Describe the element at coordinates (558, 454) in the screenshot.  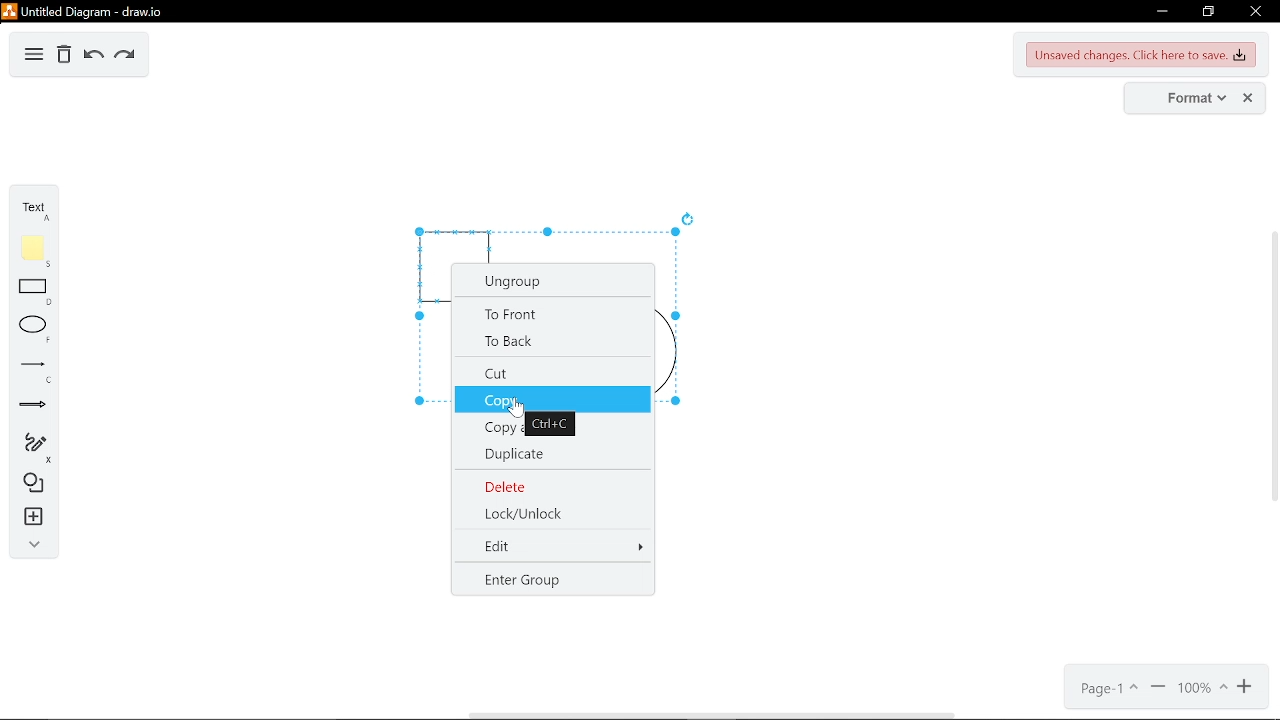
I see `duplicate` at that location.